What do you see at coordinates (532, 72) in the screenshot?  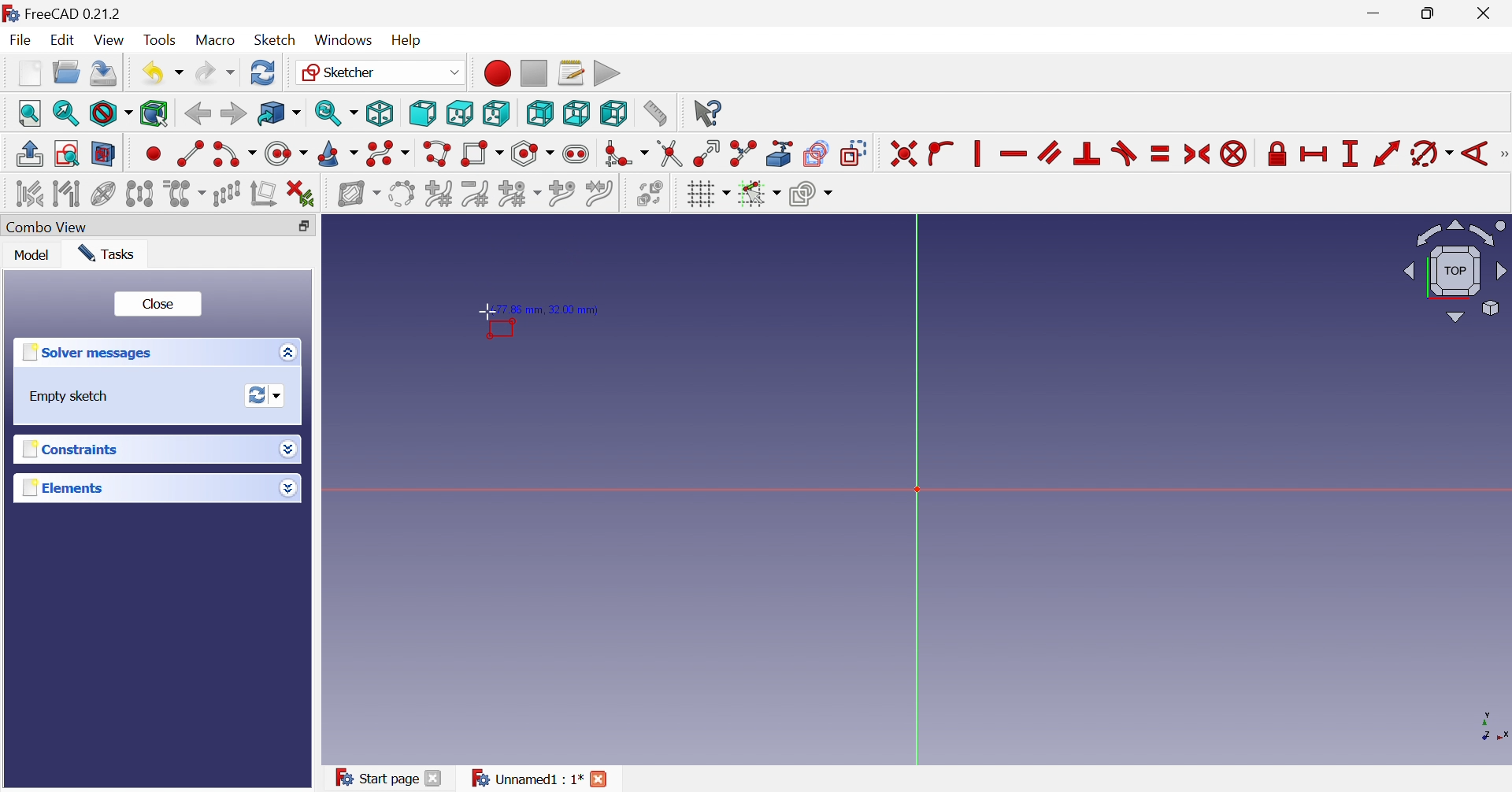 I see `Stop macro recording` at bounding box center [532, 72].